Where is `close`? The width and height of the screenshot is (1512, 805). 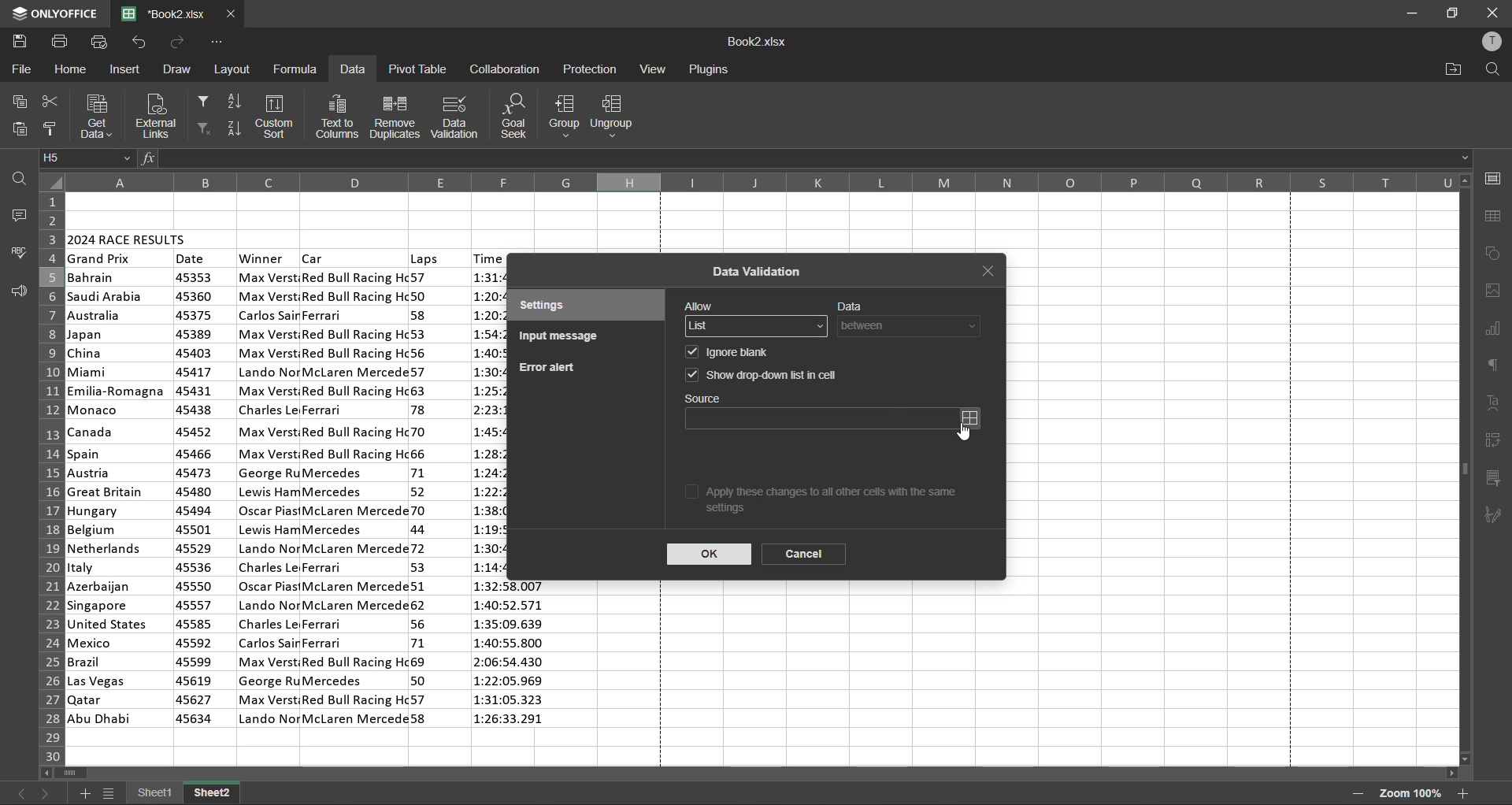 close is located at coordinates (1491, 12).